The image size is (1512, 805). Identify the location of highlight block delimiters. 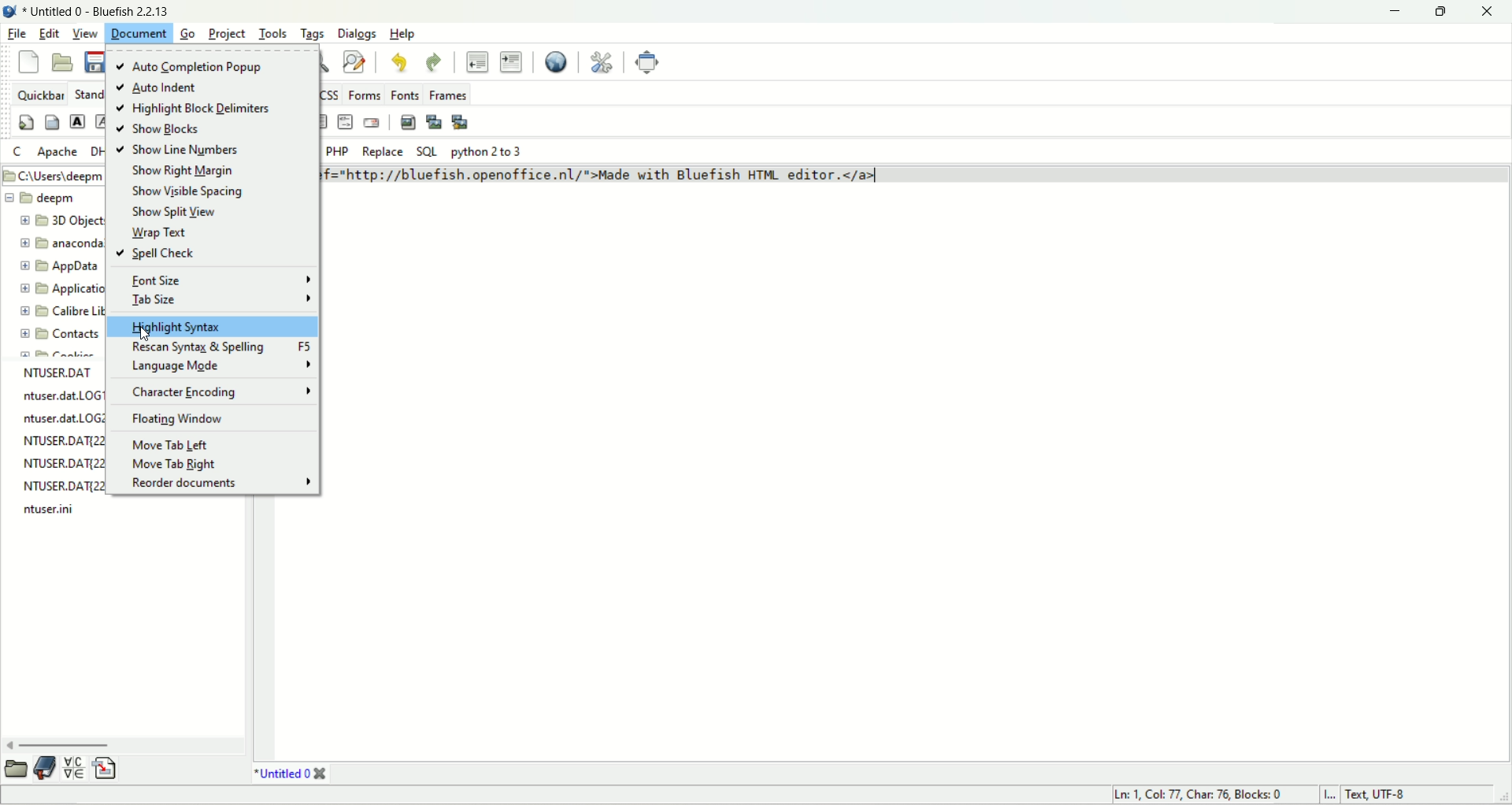
(198, 109).